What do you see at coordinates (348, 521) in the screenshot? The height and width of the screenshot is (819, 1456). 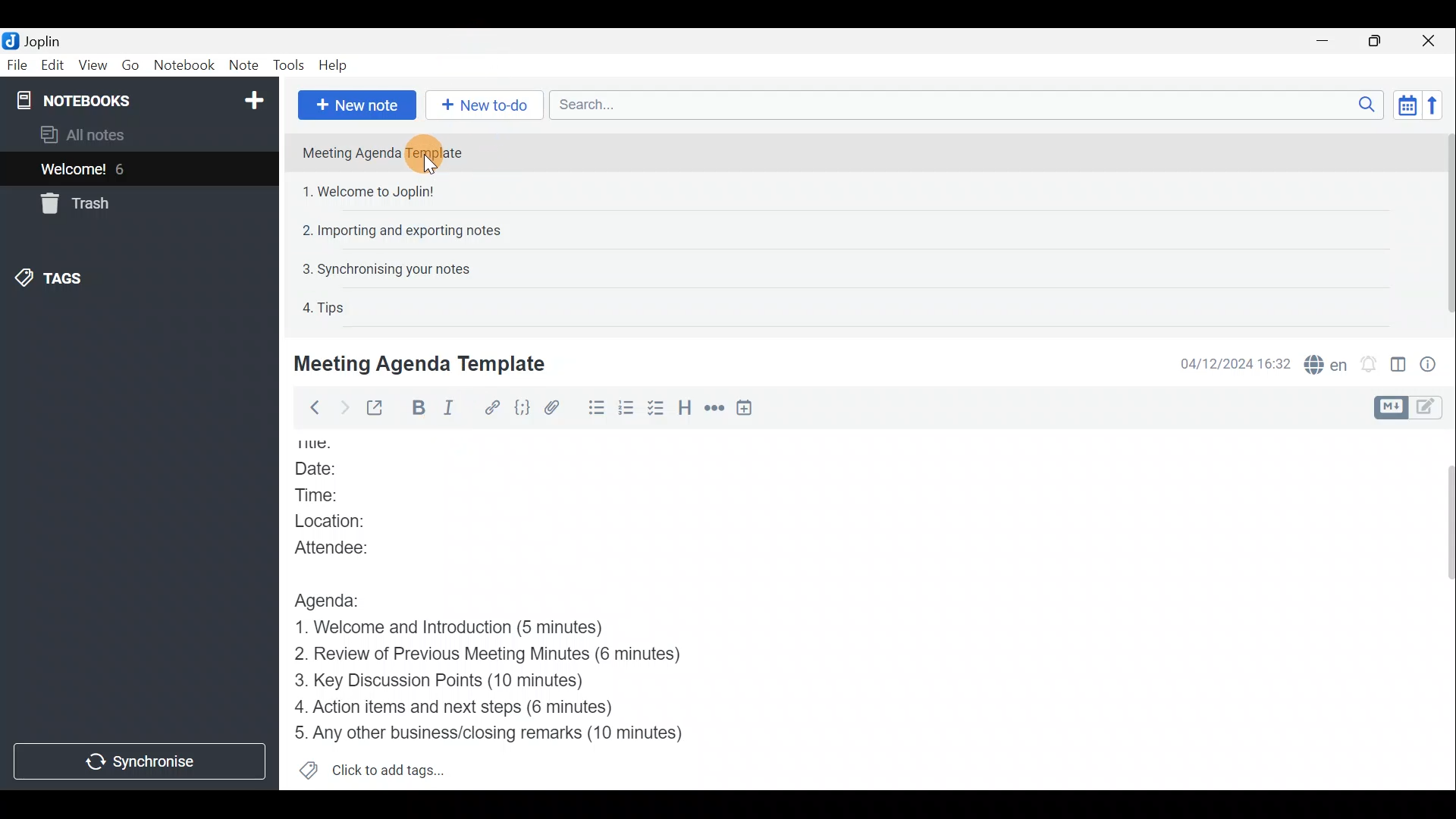 I see `Location:` at bounding box center [348, 521].